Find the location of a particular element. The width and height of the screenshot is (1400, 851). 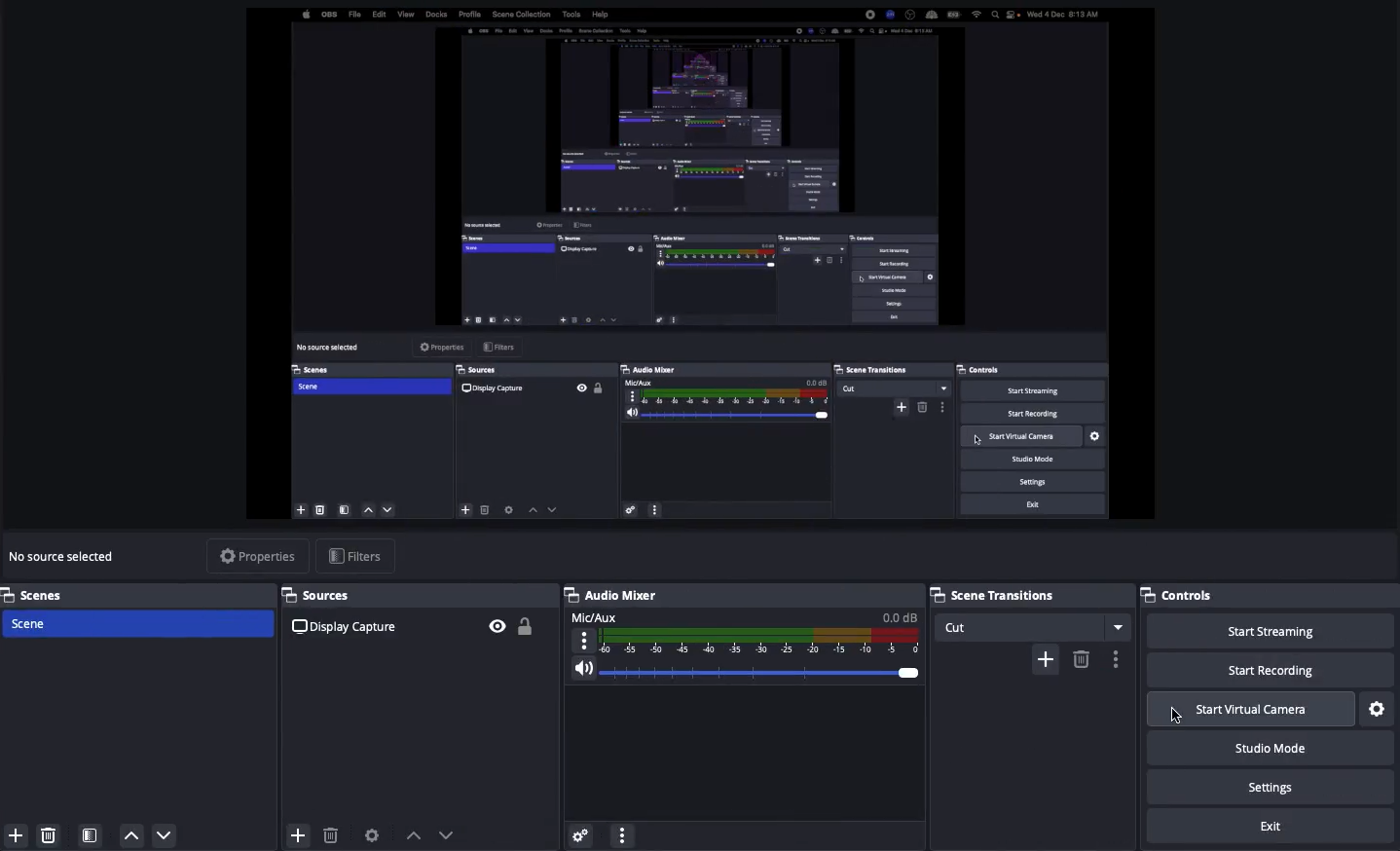

add is located at coordinates (293, 832).